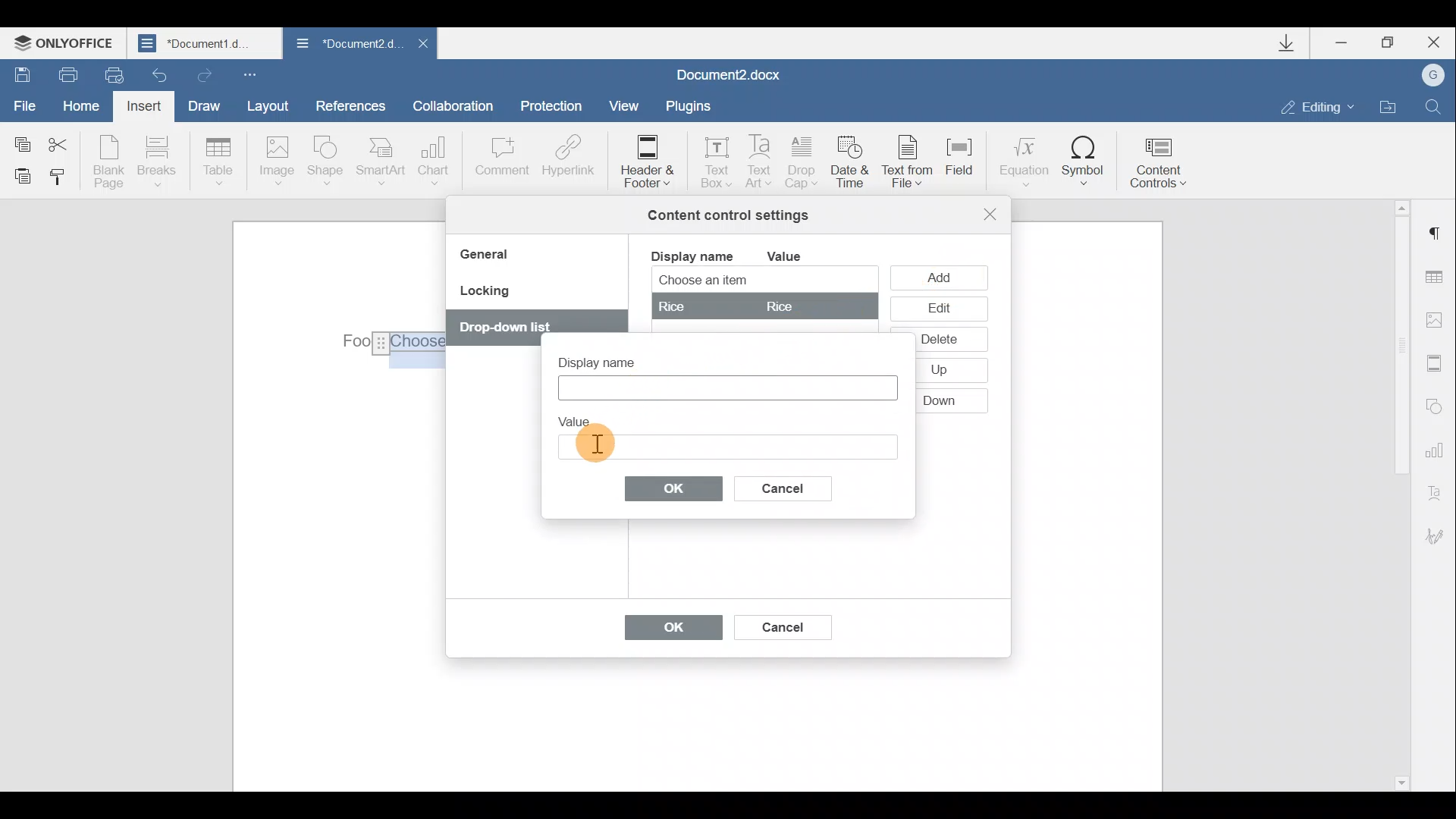  Describe the element at coordinates (912, 163) in the screenshot. I see `Text from file` at that location.